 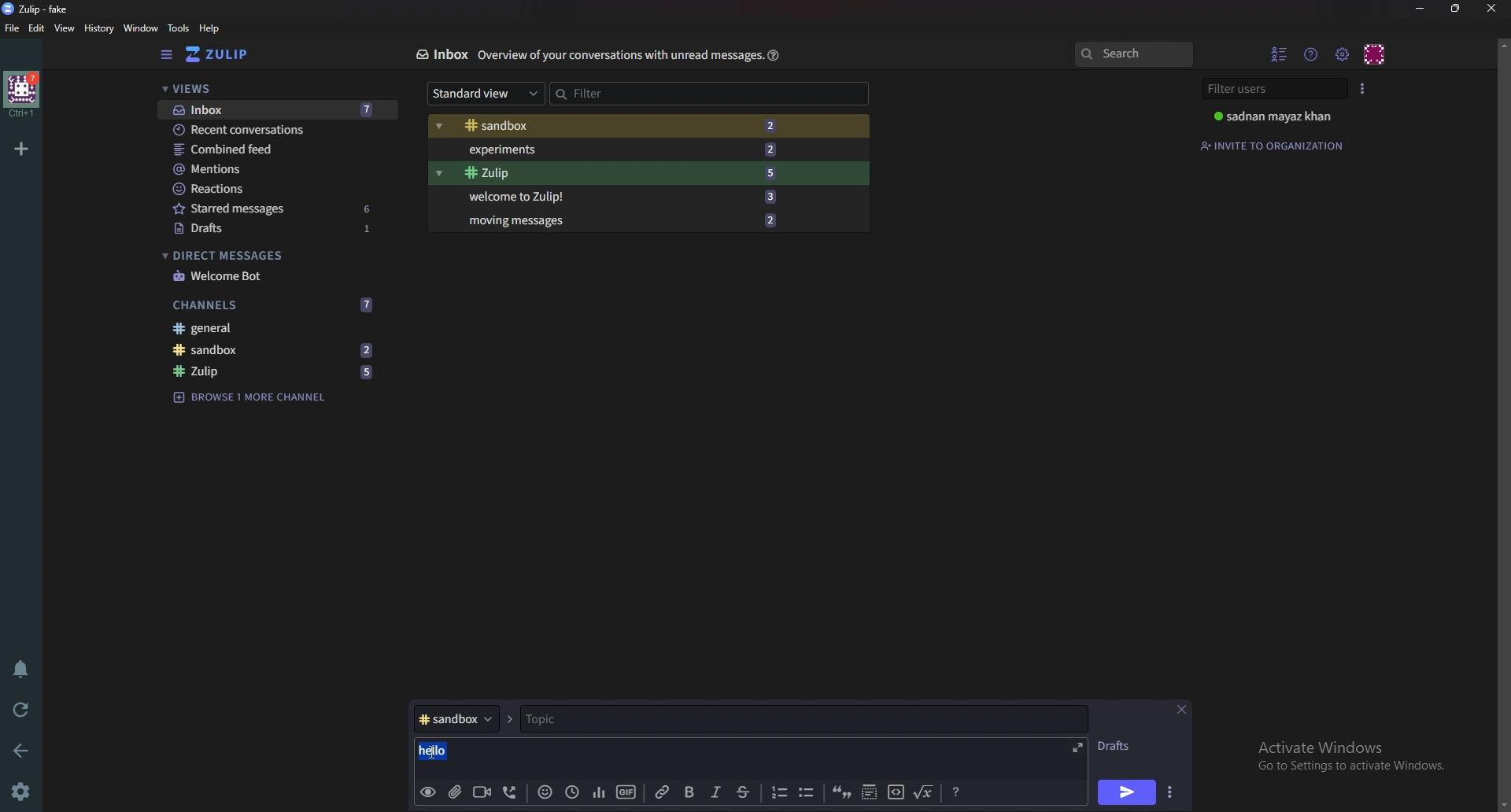 What do you see at coordinates (277, 111) in the screenshot?
I see `Inbox 7` at bounding box center [277, 111].